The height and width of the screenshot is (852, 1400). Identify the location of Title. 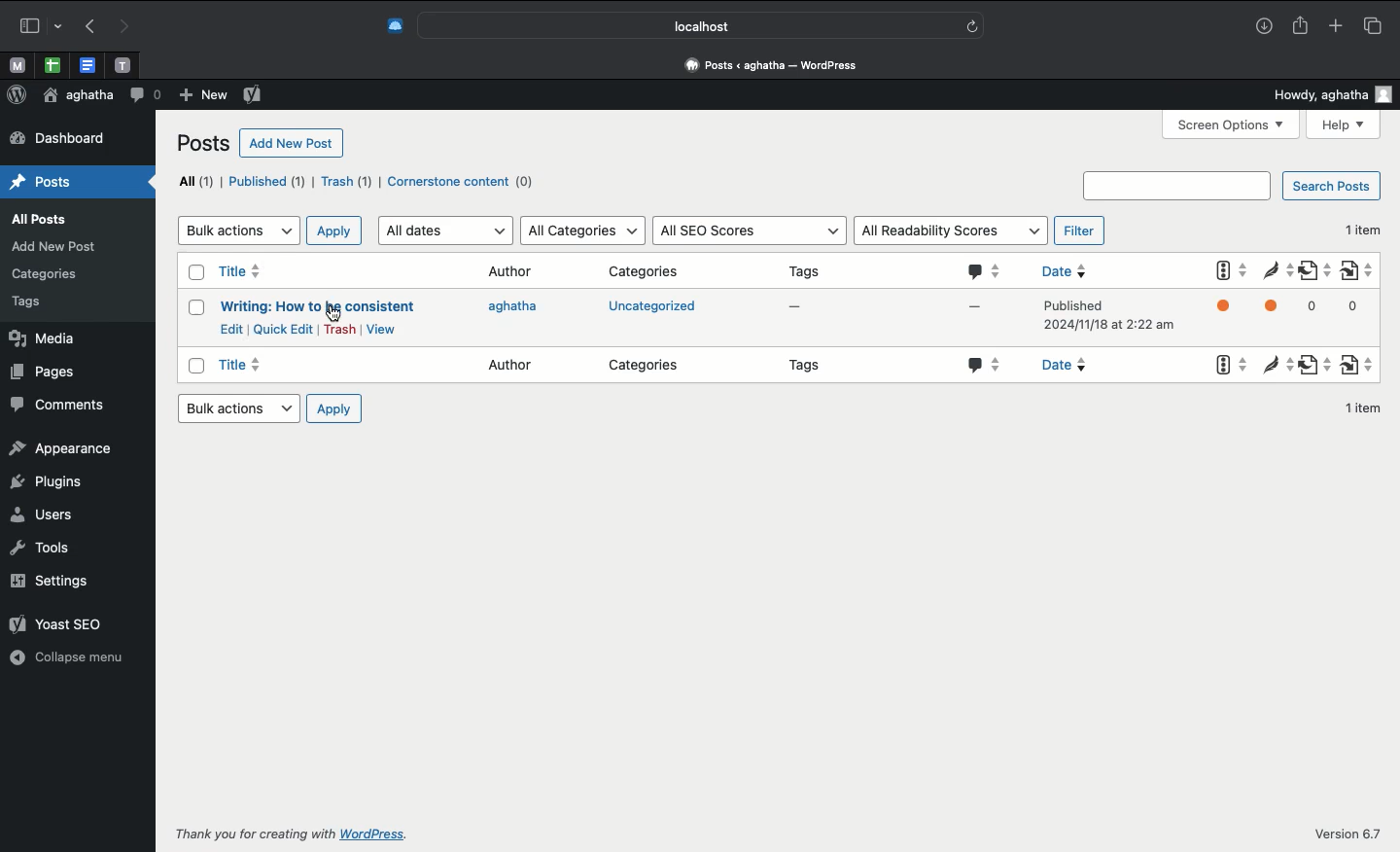
(242, 270).